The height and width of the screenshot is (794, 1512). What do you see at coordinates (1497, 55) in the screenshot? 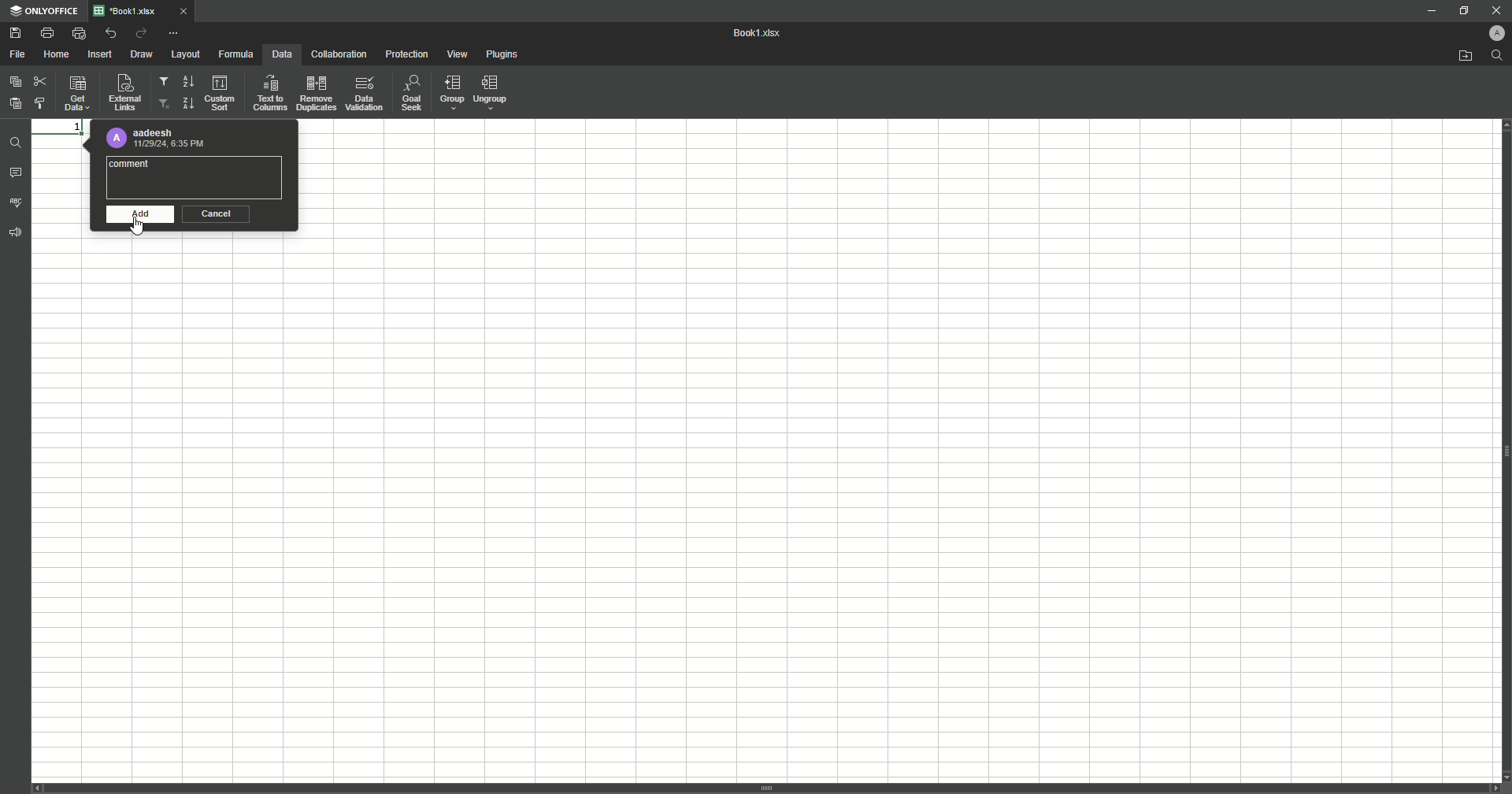
I see `Find` at bounding box center [1497, 55].